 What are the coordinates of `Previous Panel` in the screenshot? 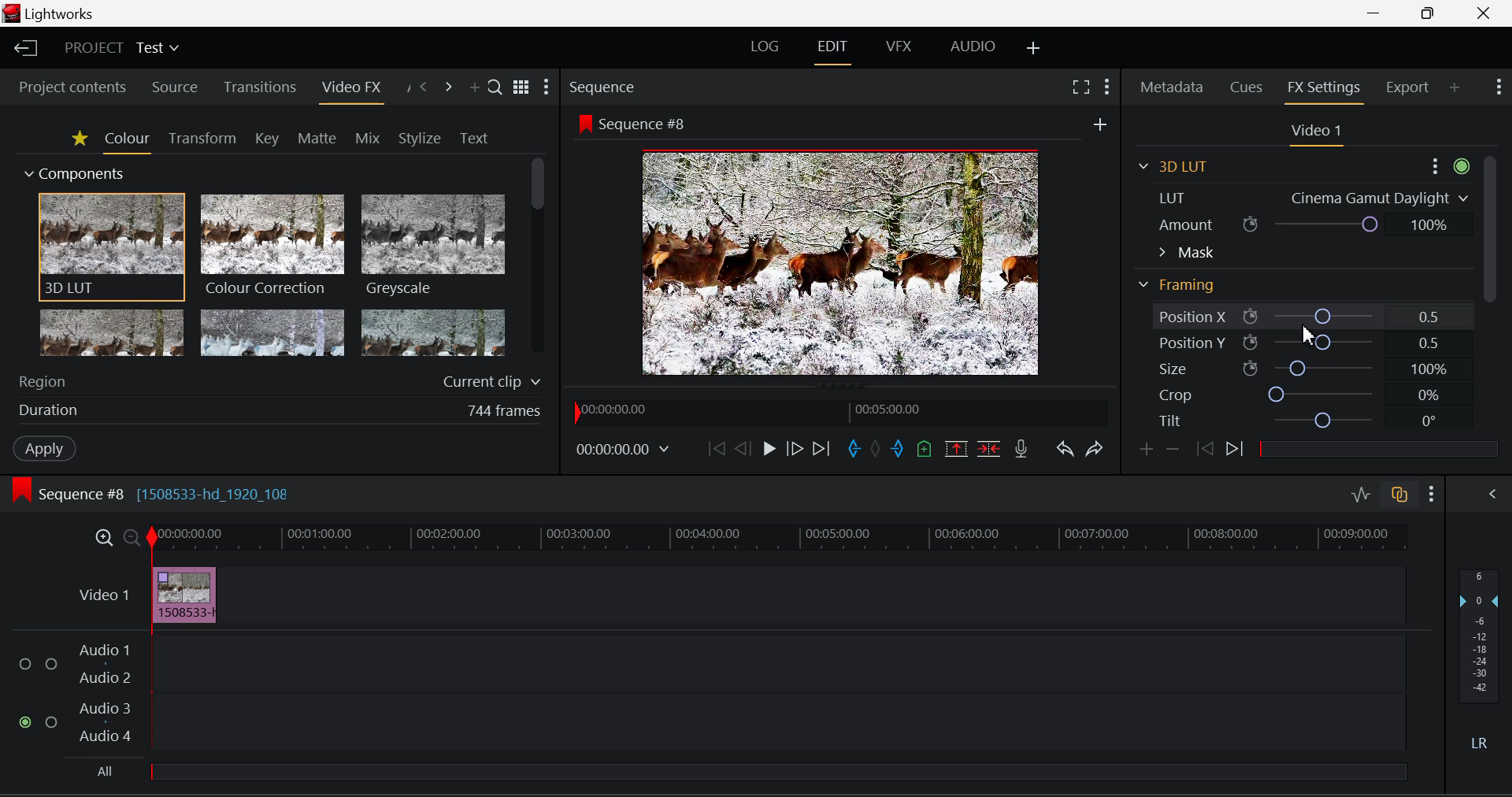 It's located at (425, 85).